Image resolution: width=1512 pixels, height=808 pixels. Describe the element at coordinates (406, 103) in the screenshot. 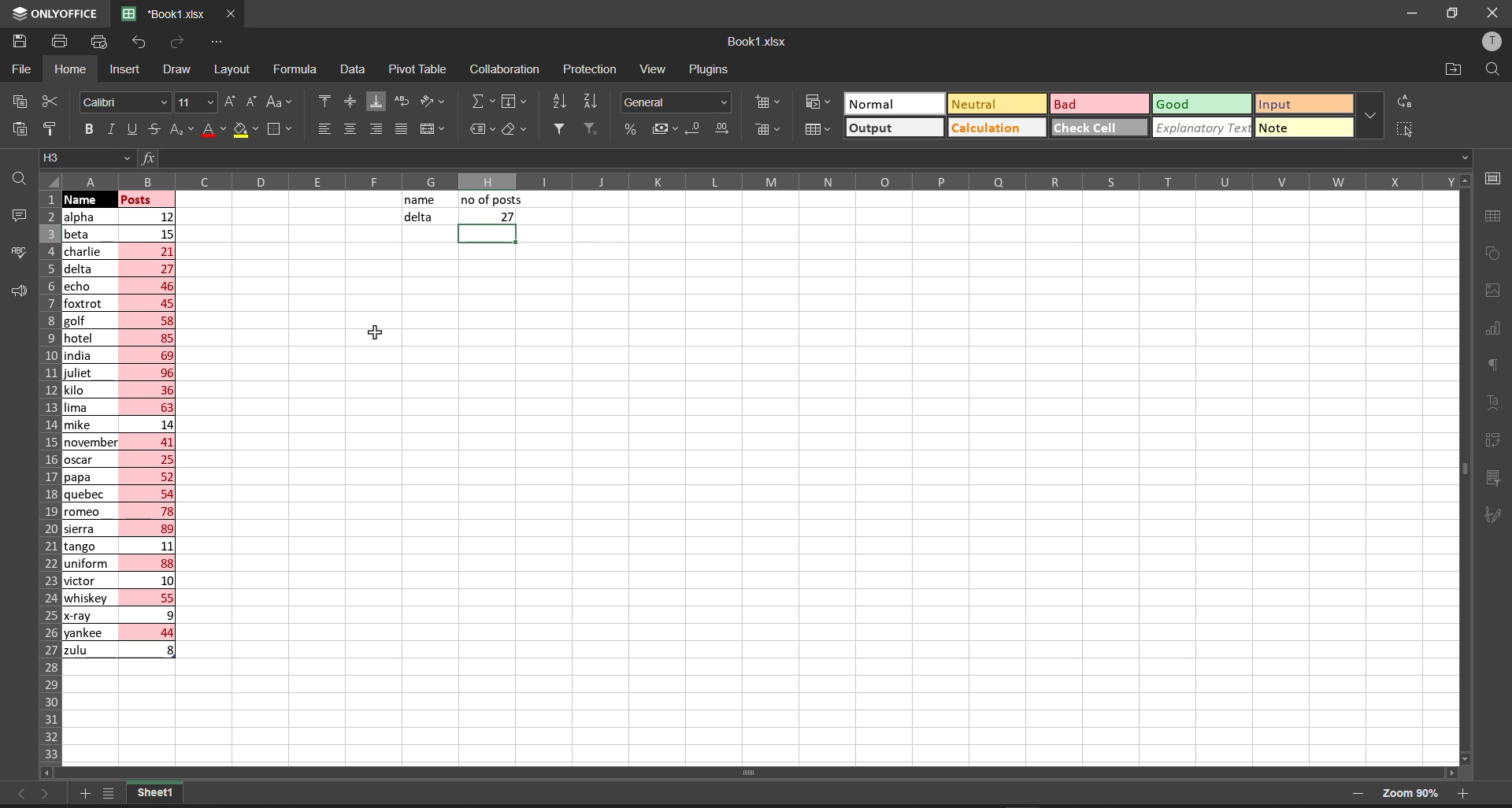

I see `wrap text` at that location.